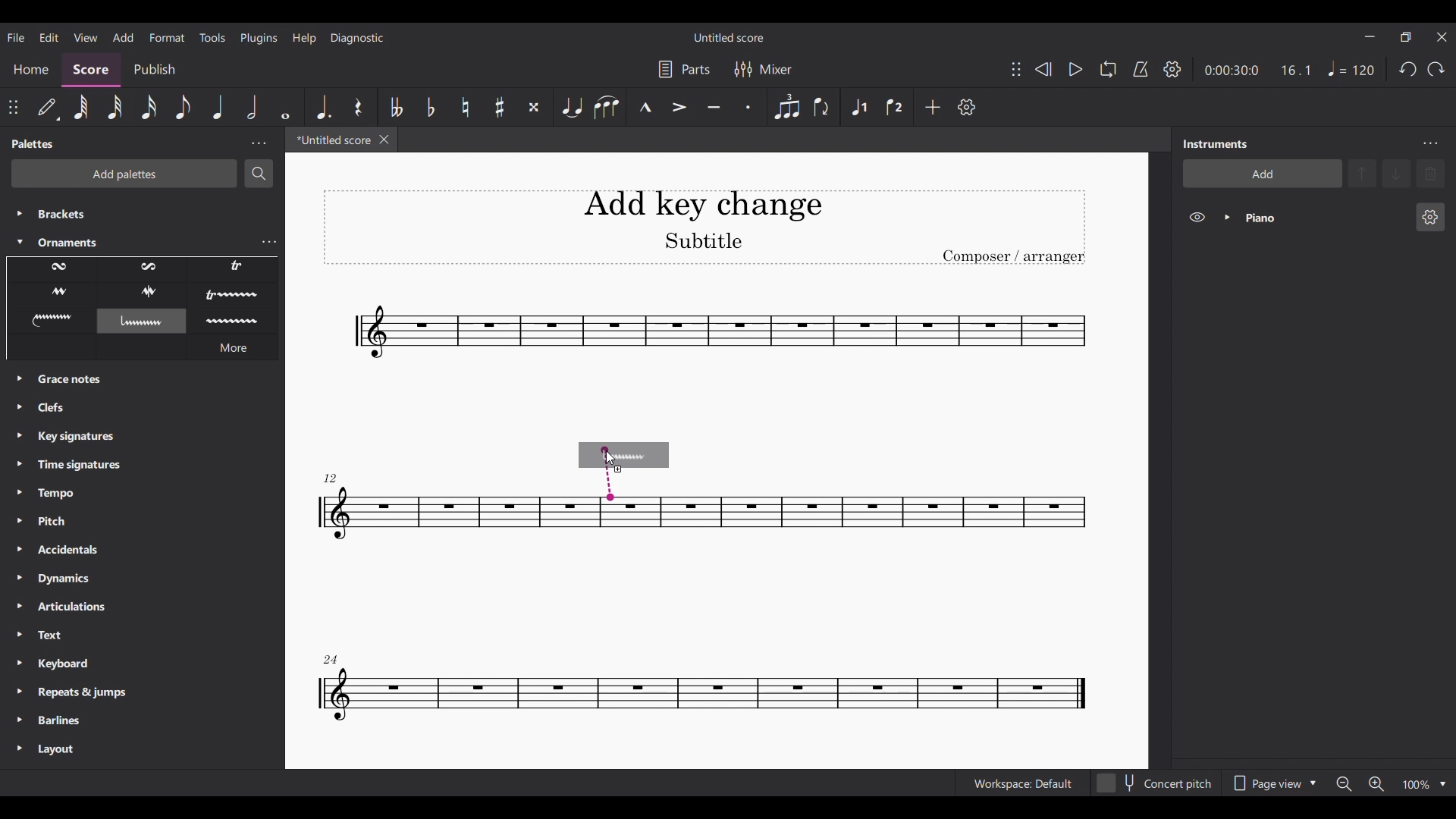 This screenshot has width=1456, height=819. Describe the element at coordinates (49, 36) in the screenshot. I see `Edit menu` at that location.